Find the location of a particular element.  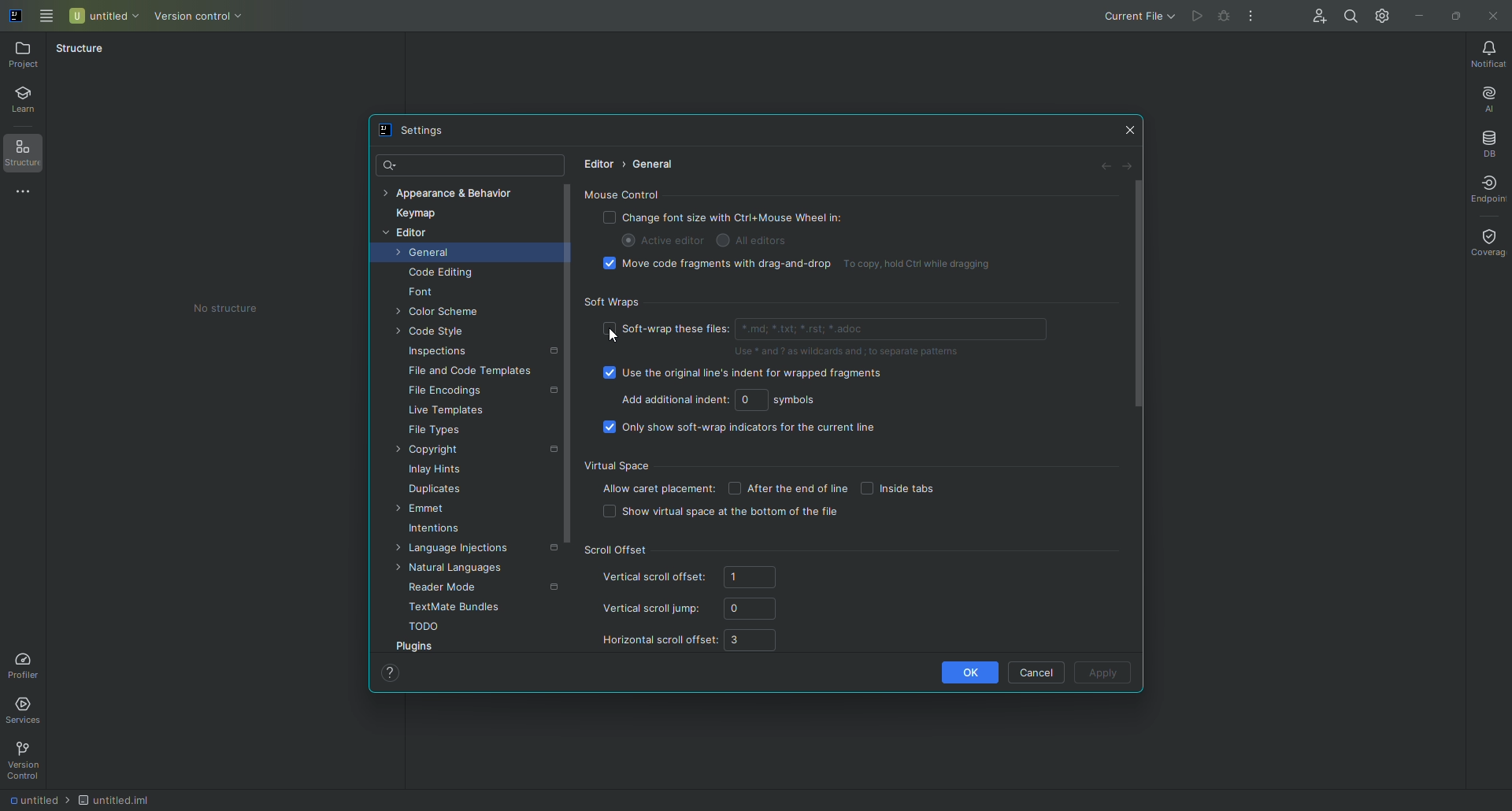

Vertical scroll jump is located at coordinates (692, 610).